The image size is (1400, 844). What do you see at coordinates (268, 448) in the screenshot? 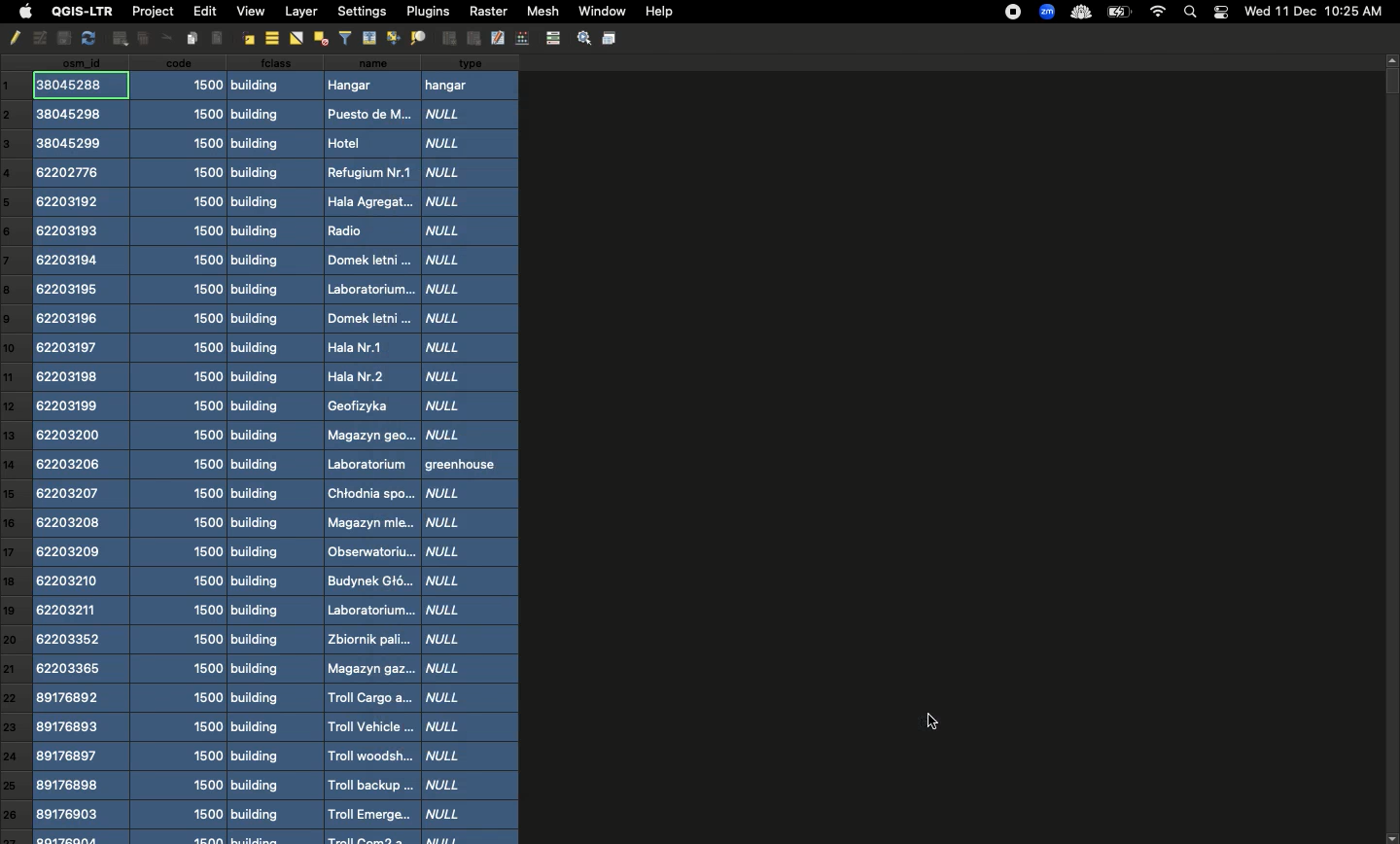
I see `class` at bounding box center [268, 448].